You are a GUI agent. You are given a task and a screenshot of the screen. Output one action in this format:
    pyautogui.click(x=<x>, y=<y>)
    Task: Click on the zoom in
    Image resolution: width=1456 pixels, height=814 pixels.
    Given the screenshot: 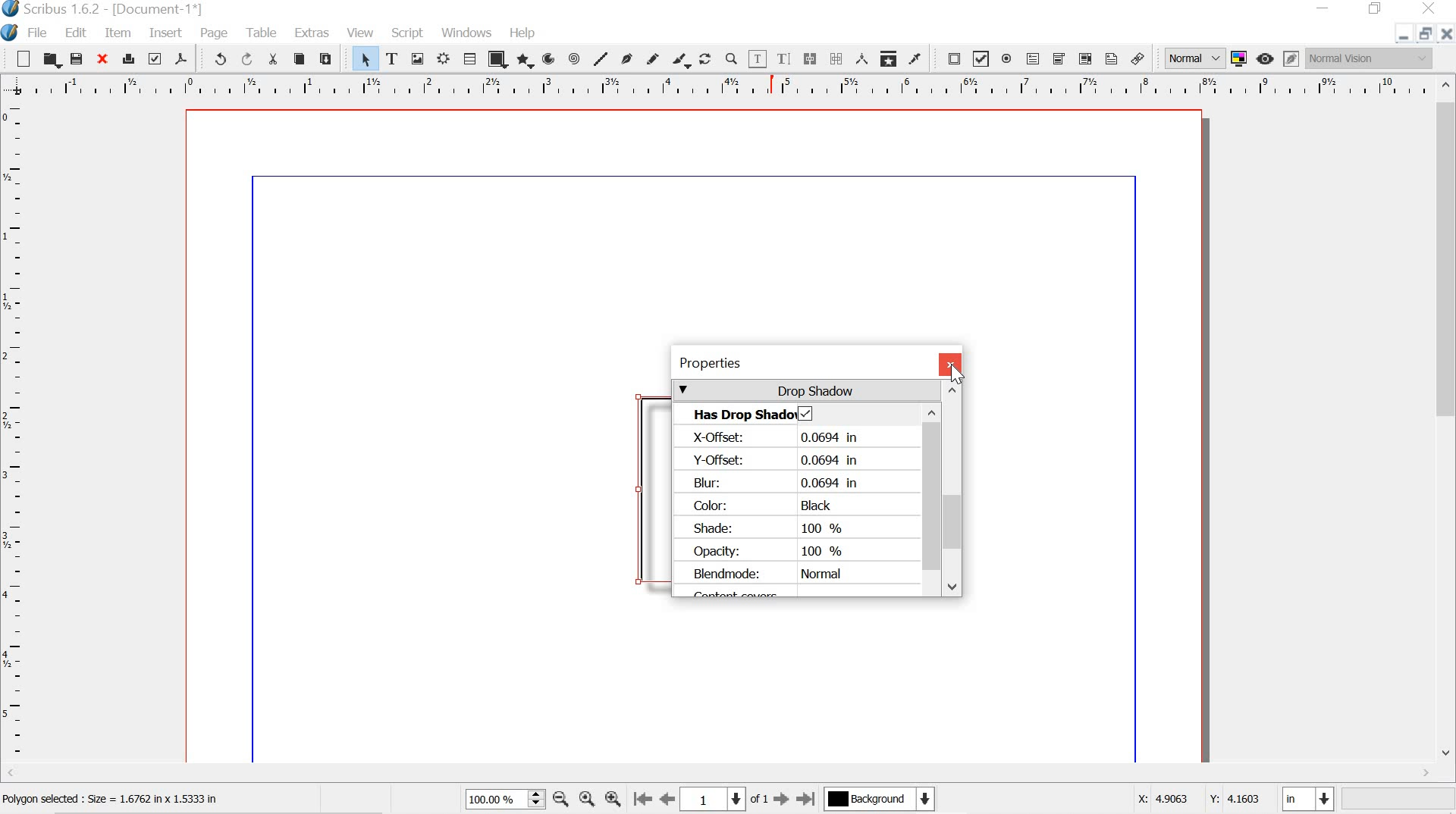 What is the action you would take?
    pyautogui.click(x=613, y=796)
    